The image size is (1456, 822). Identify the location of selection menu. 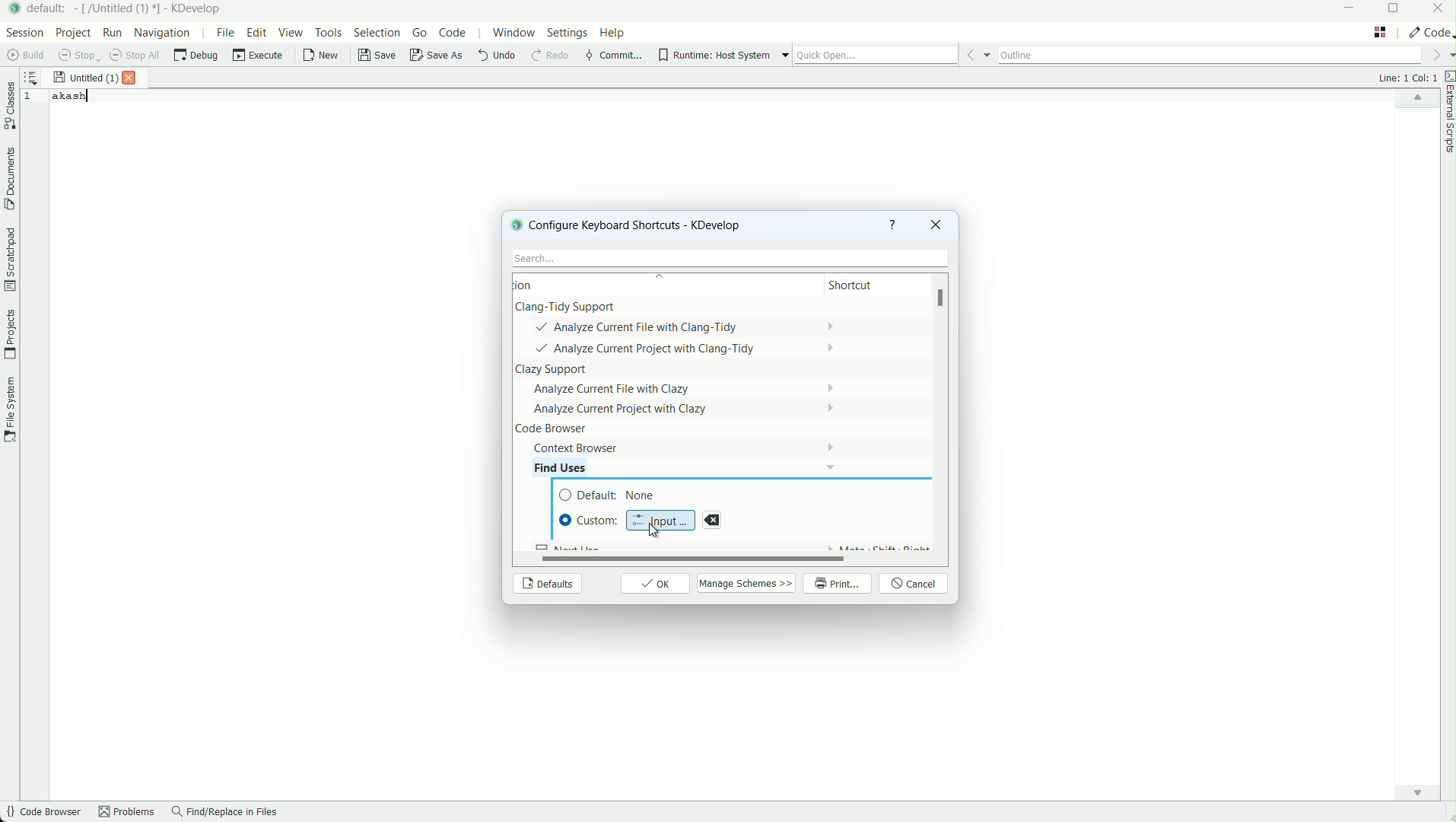
(377, 33).